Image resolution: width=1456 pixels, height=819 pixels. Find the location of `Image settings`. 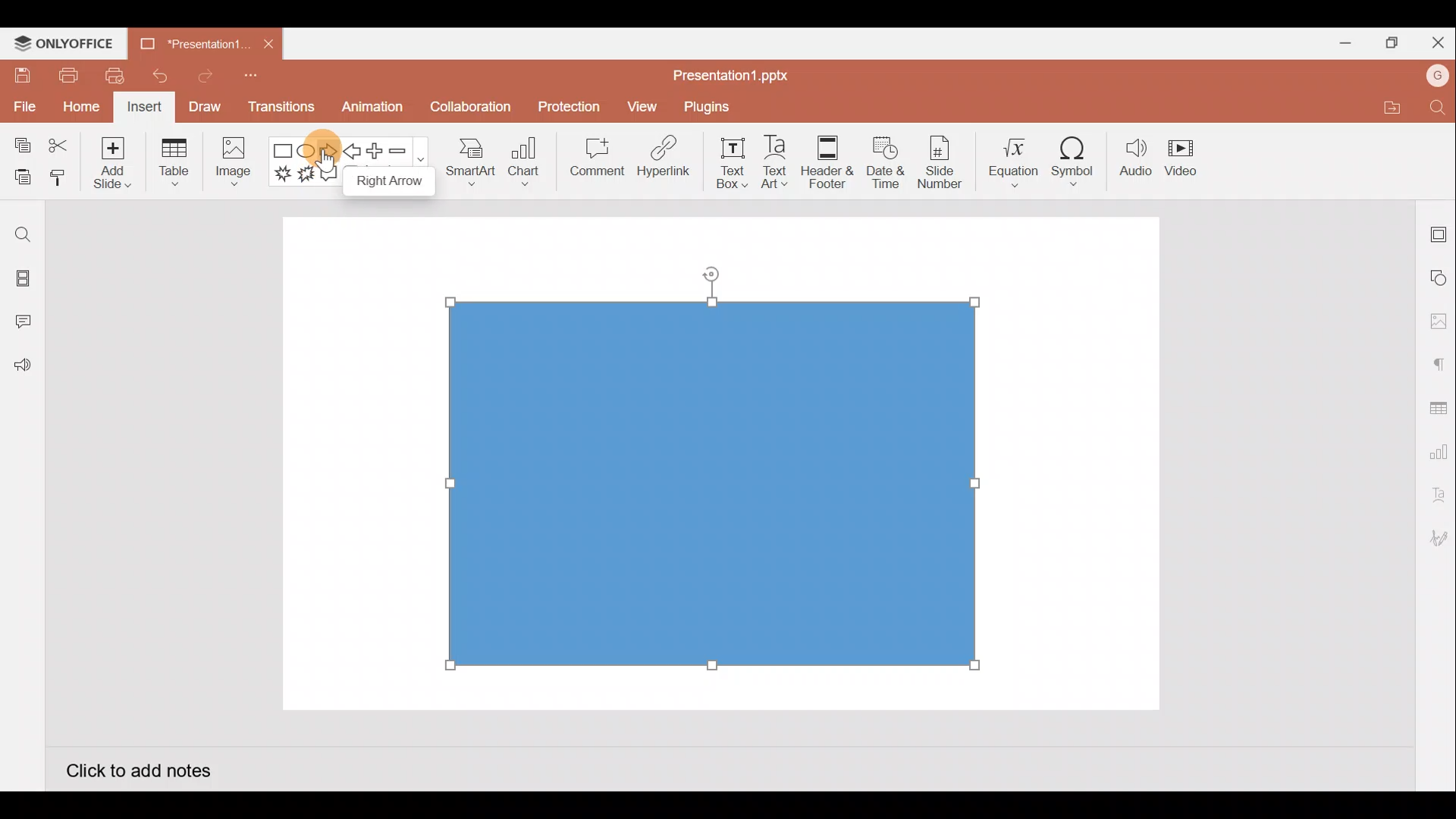

Image settings is located at coordinates (1439, 322).